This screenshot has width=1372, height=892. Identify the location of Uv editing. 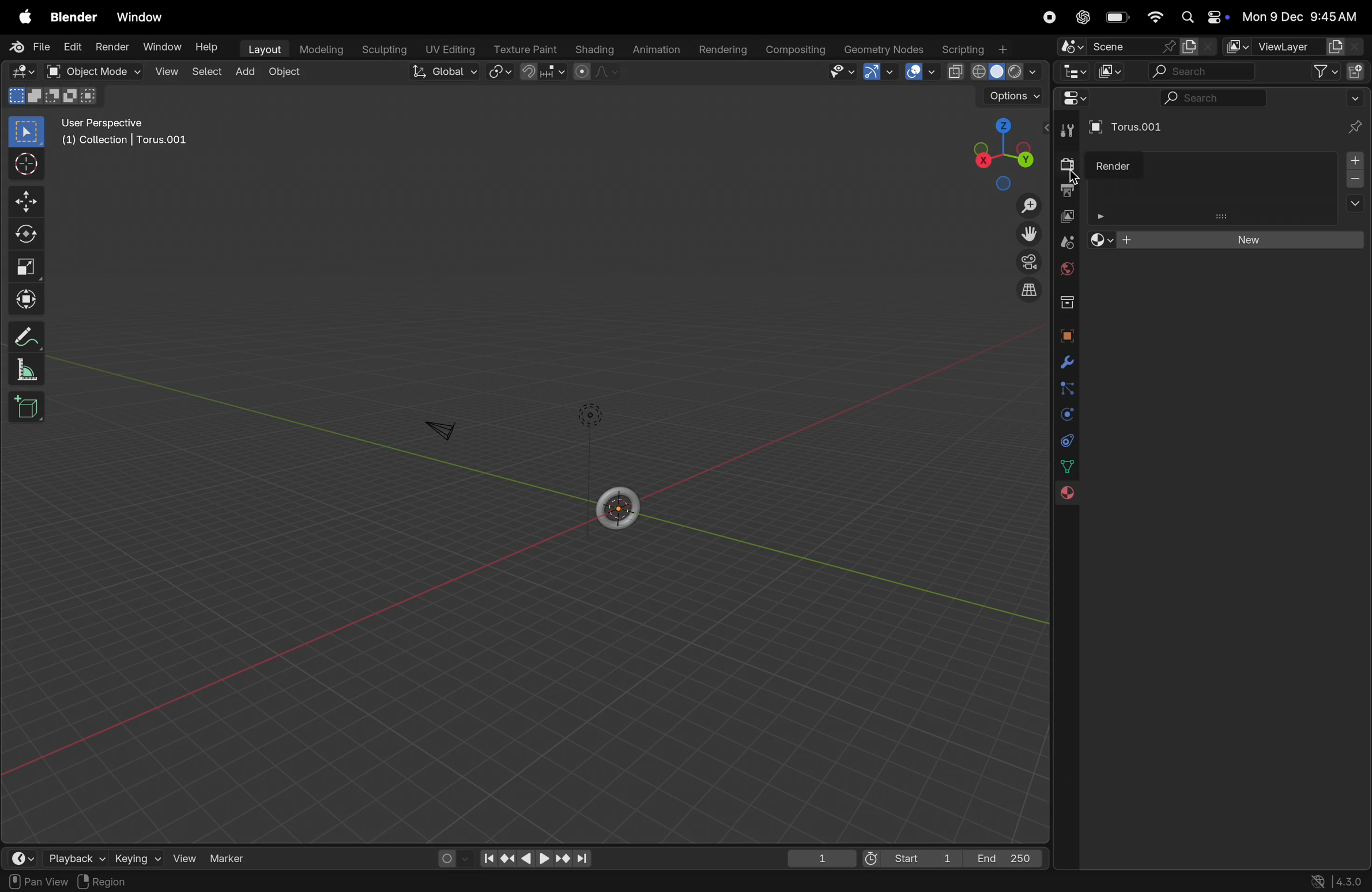
(450, 48).